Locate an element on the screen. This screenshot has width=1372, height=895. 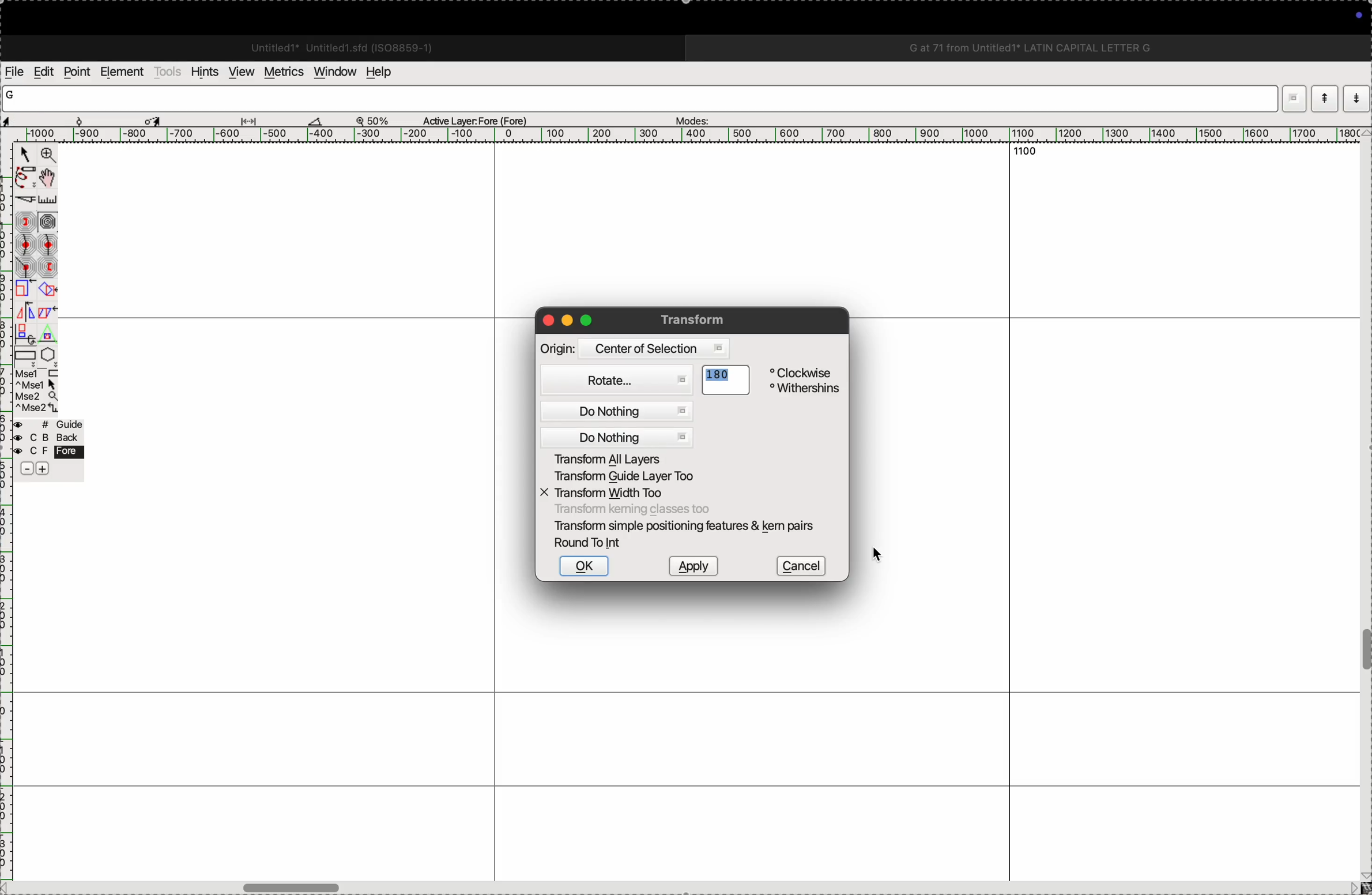
minimize is located at coordinates (566, 319).